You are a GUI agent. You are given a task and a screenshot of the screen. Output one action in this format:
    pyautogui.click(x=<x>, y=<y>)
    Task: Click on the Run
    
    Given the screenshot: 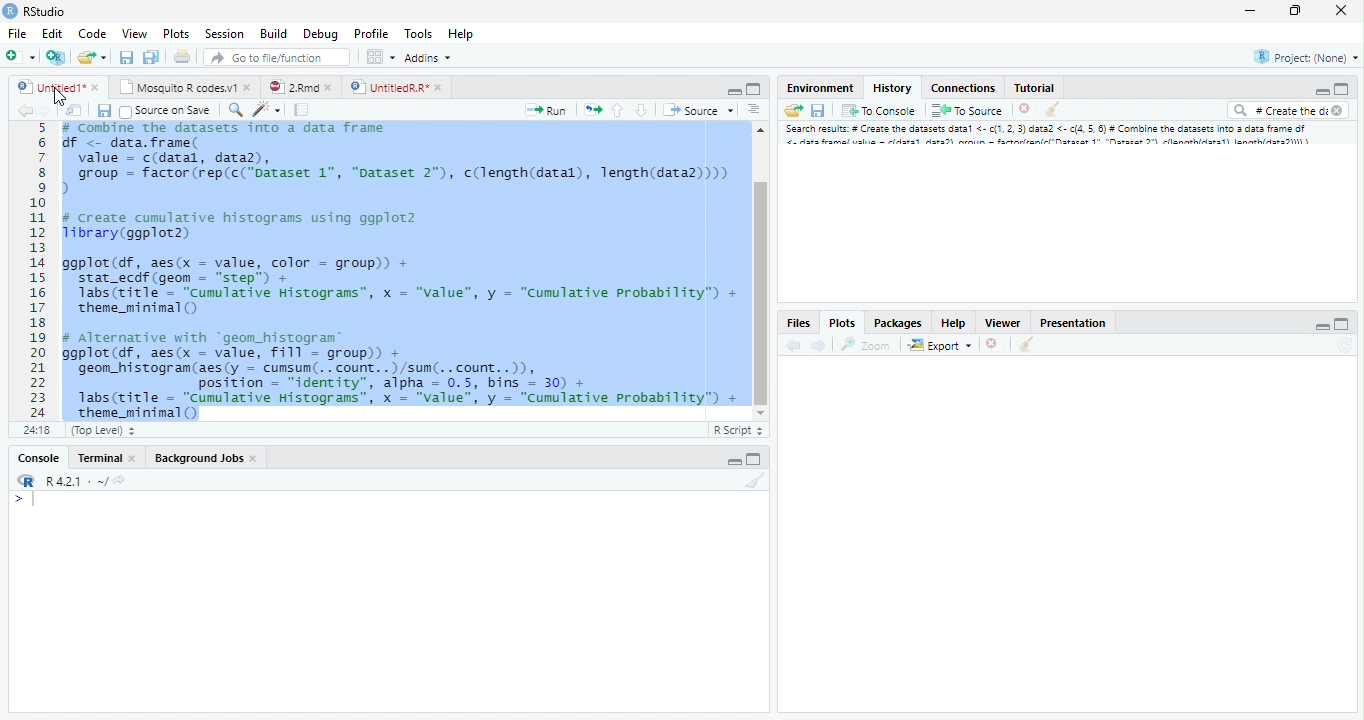 What is the action you would take?
    pyautogui.click(x=546, y=110)
    